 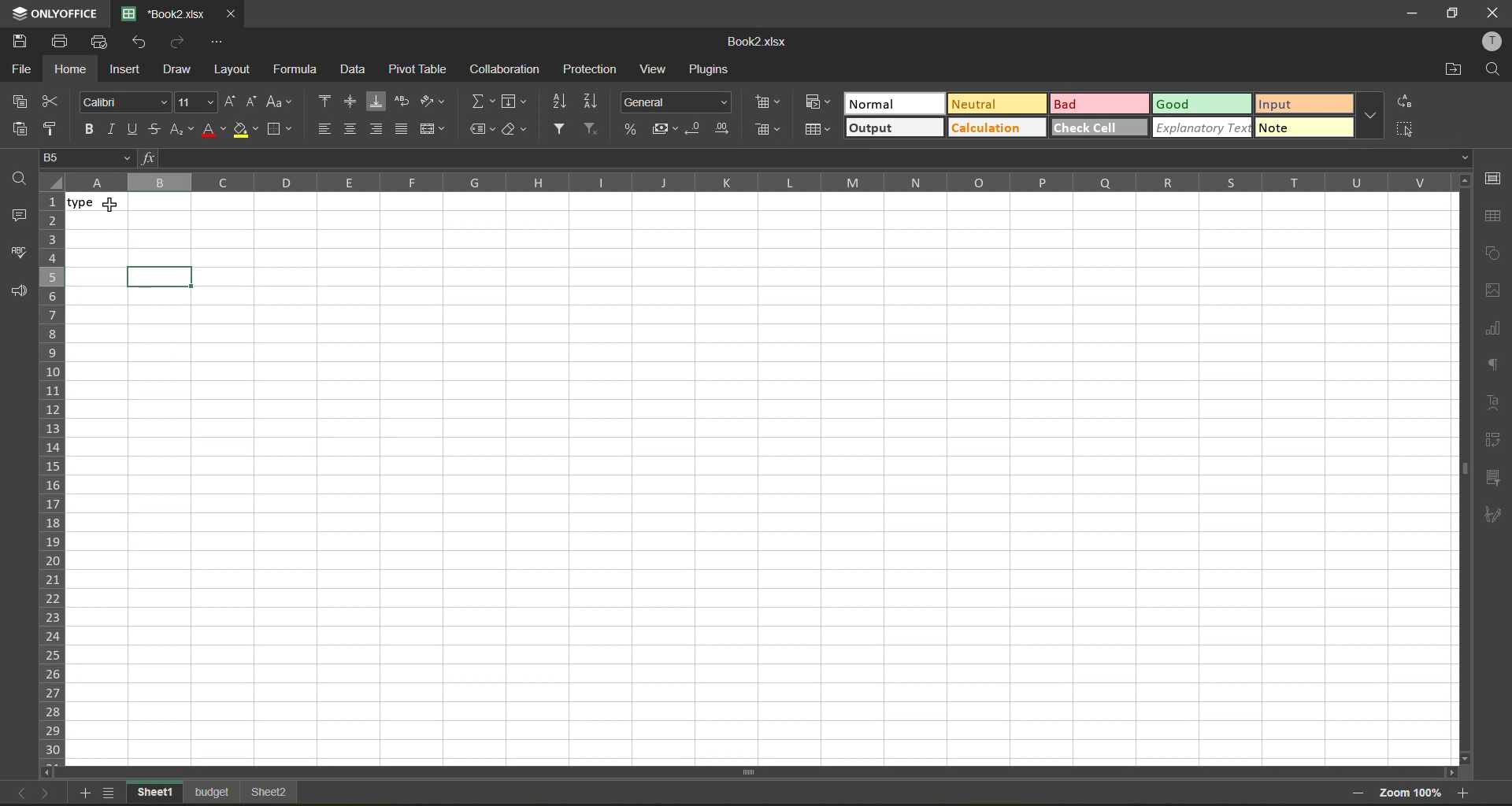 I want to click on save, so click(x=26, y=42).